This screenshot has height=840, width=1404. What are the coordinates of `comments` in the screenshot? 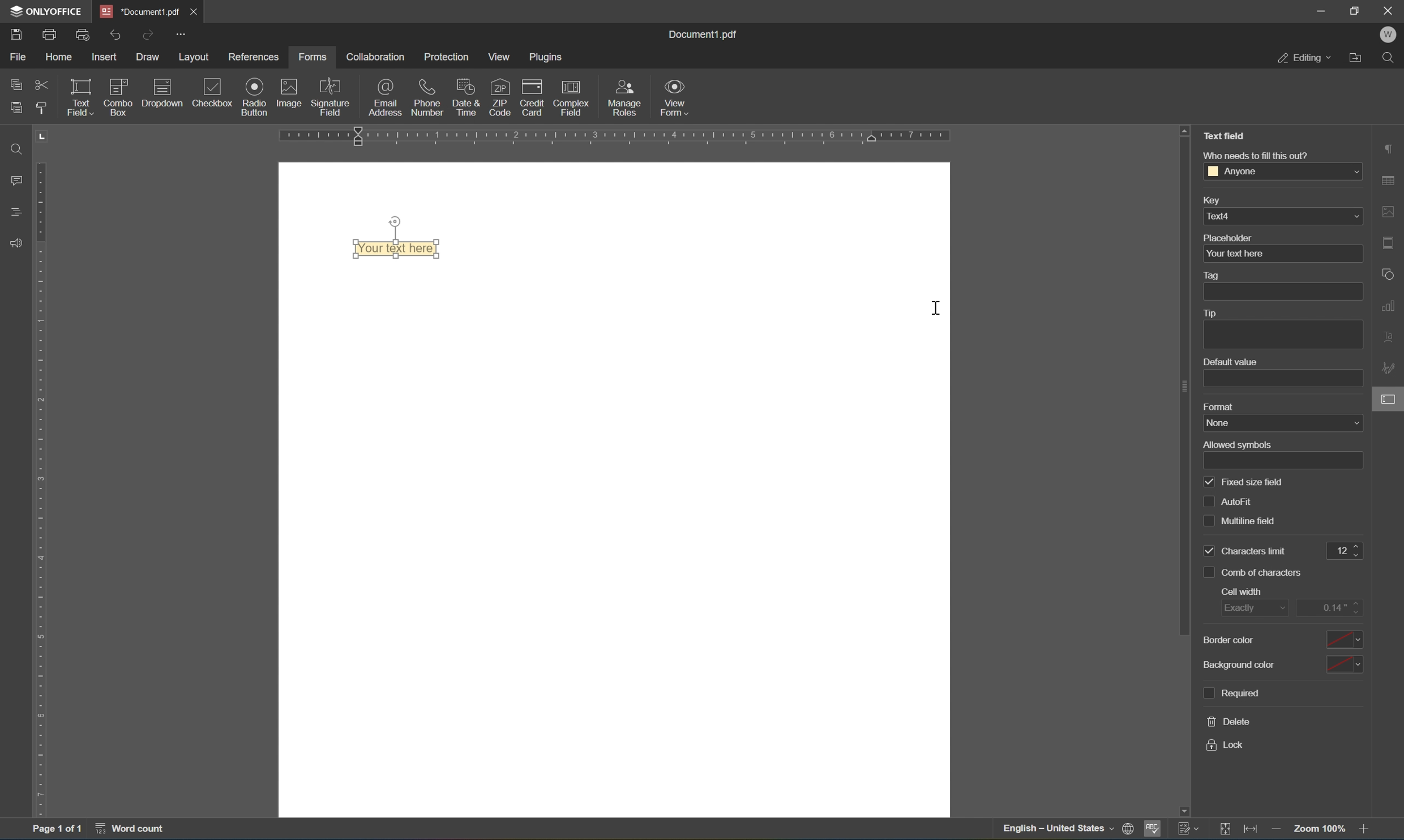 It's located at (16, 180).